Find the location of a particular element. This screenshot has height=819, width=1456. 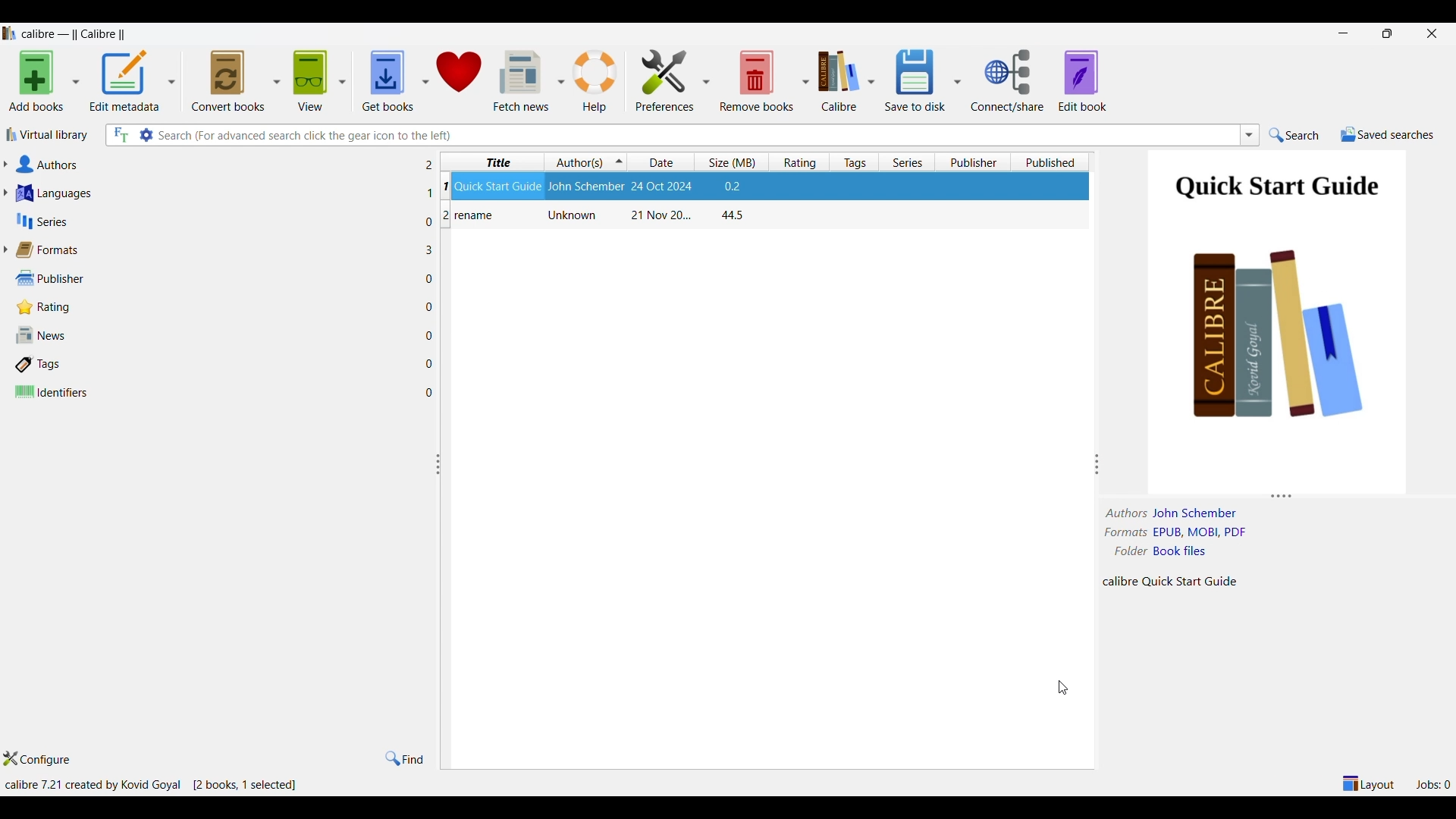

List searches is located at coordinates (1250, 135).